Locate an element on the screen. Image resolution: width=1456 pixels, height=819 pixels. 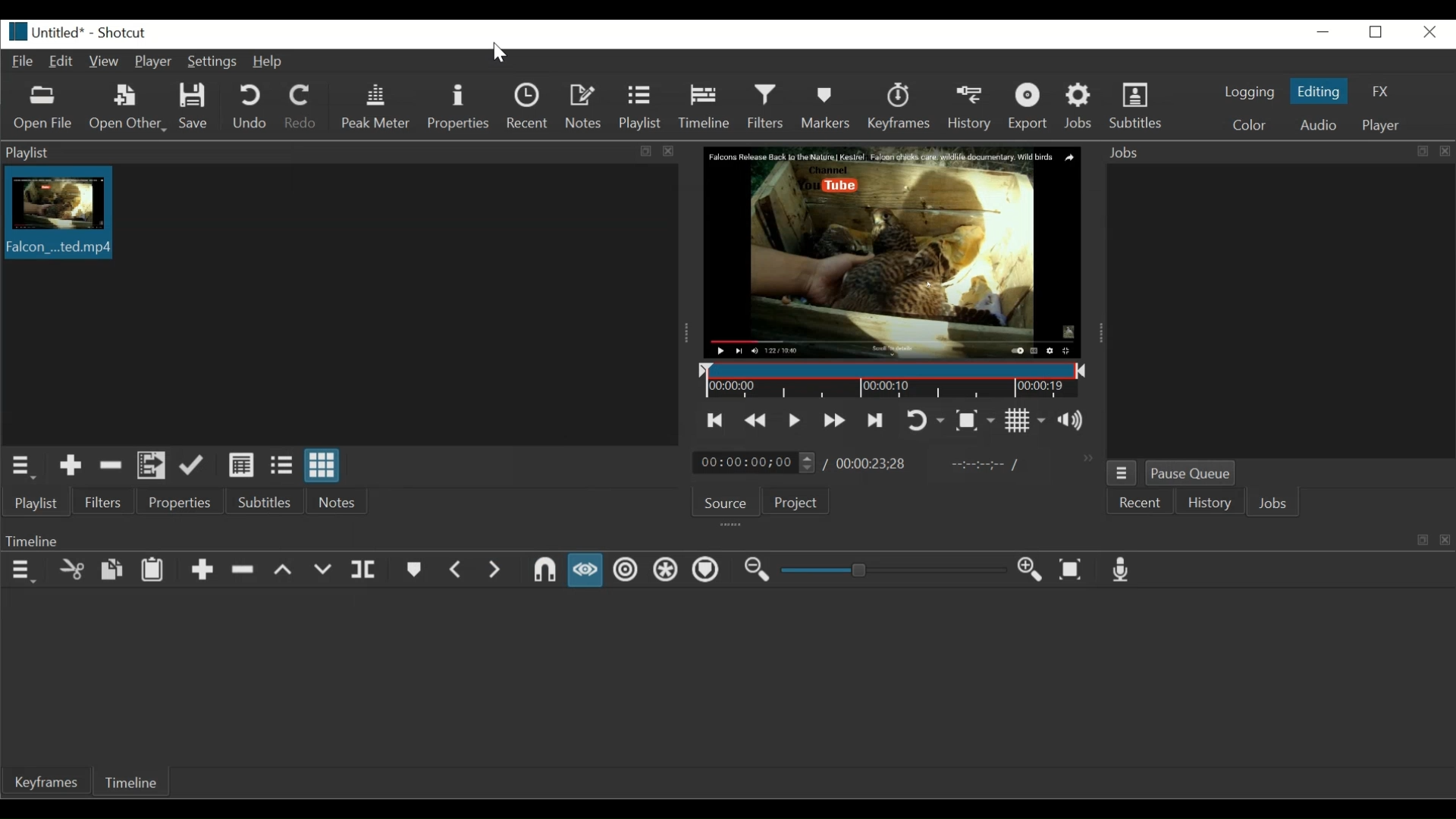
Audio is located at coordinates (1316, 126).